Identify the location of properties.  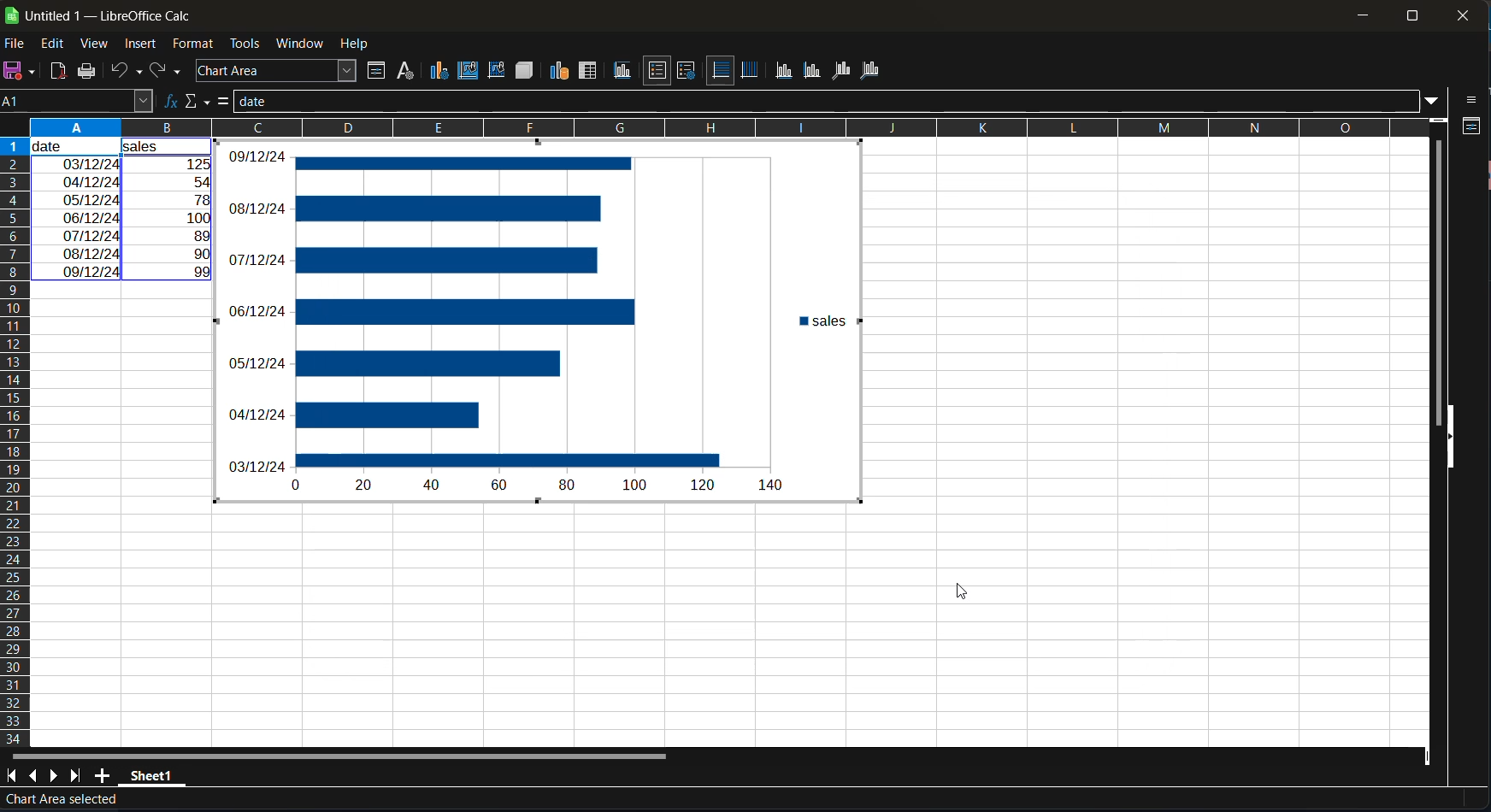
(1470, 129).